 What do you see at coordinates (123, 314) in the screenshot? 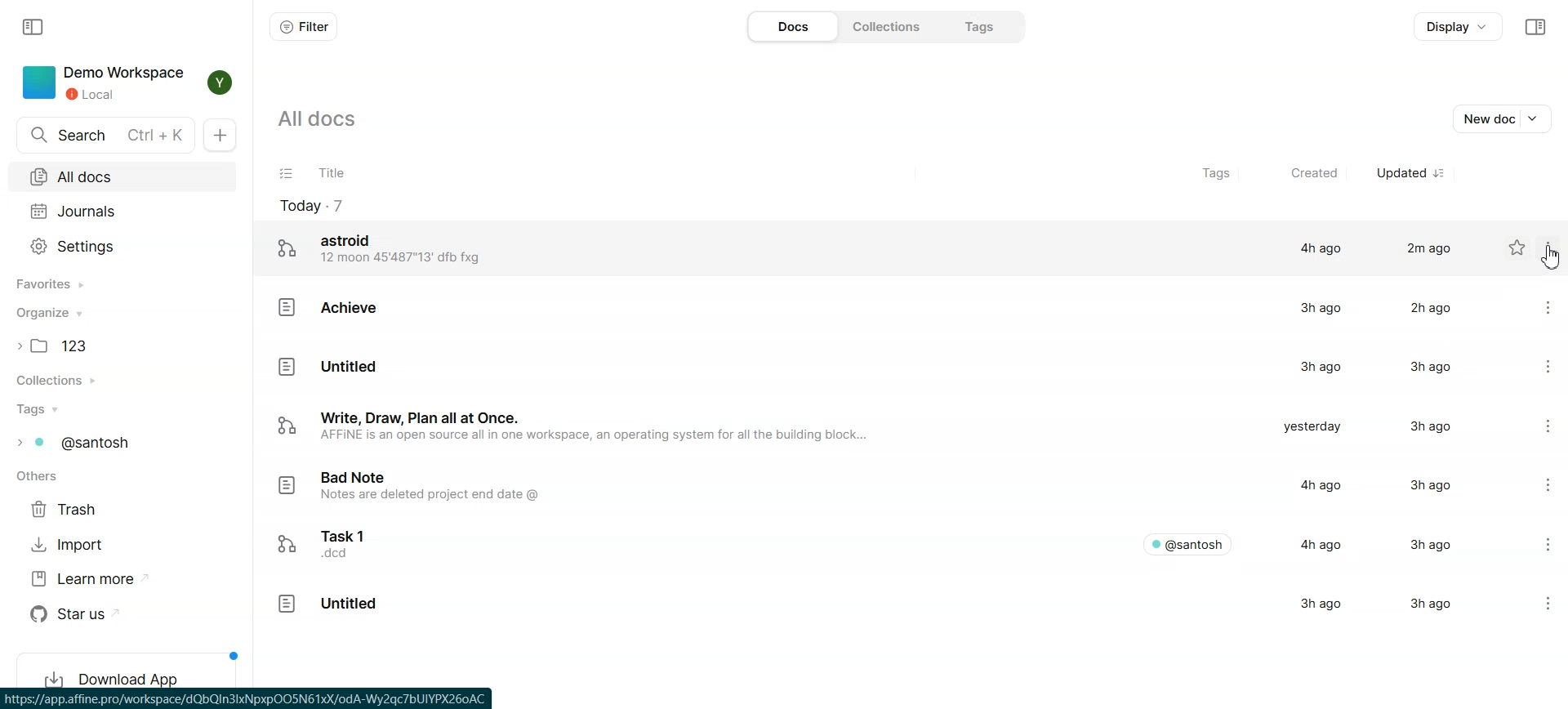
I see `Organize` at bounding box center [123, 314].